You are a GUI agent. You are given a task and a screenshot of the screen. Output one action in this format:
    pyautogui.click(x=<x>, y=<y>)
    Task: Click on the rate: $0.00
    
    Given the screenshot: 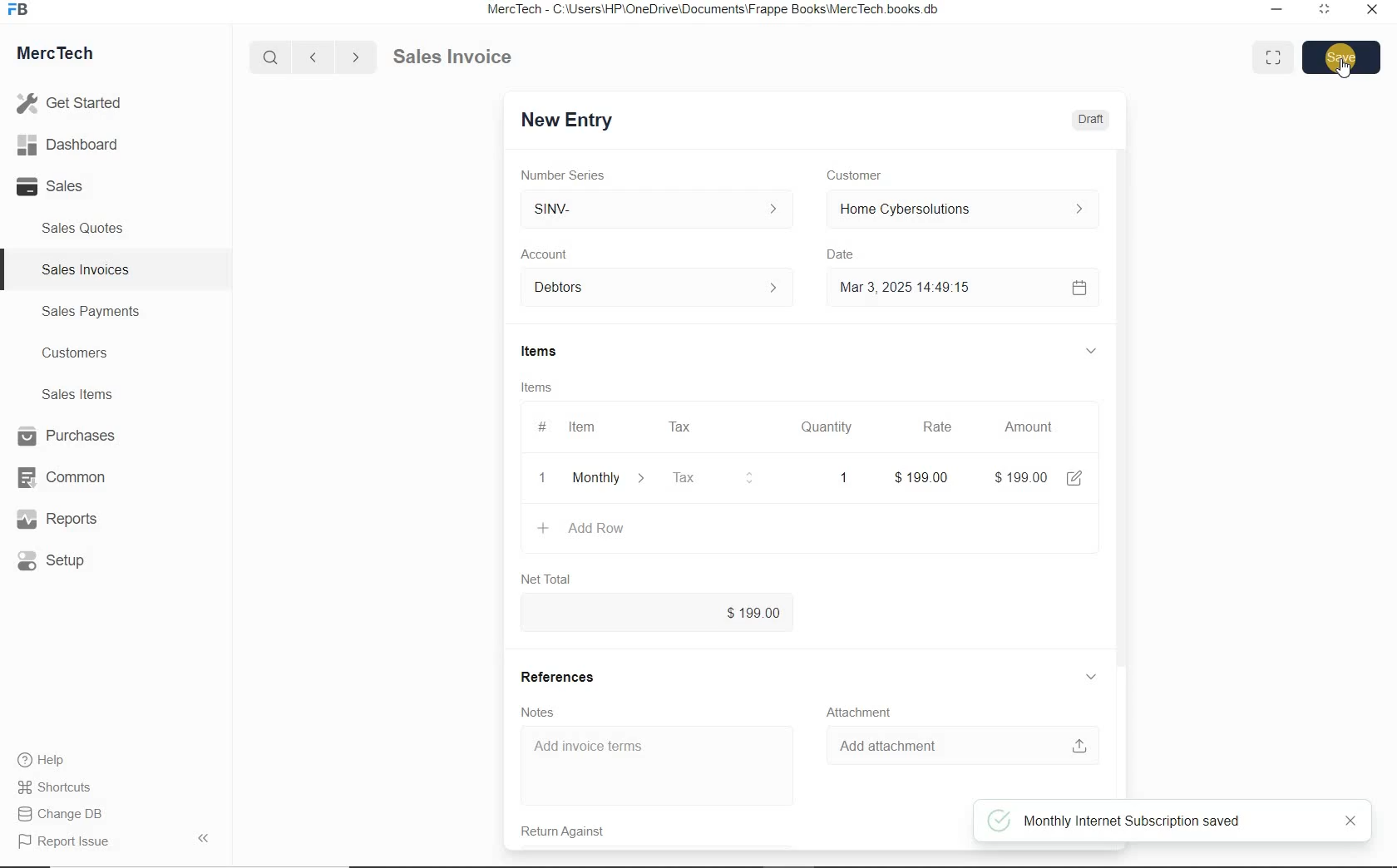 What is the action you would take?
    pyautogui.click(x=926, y=476)
    